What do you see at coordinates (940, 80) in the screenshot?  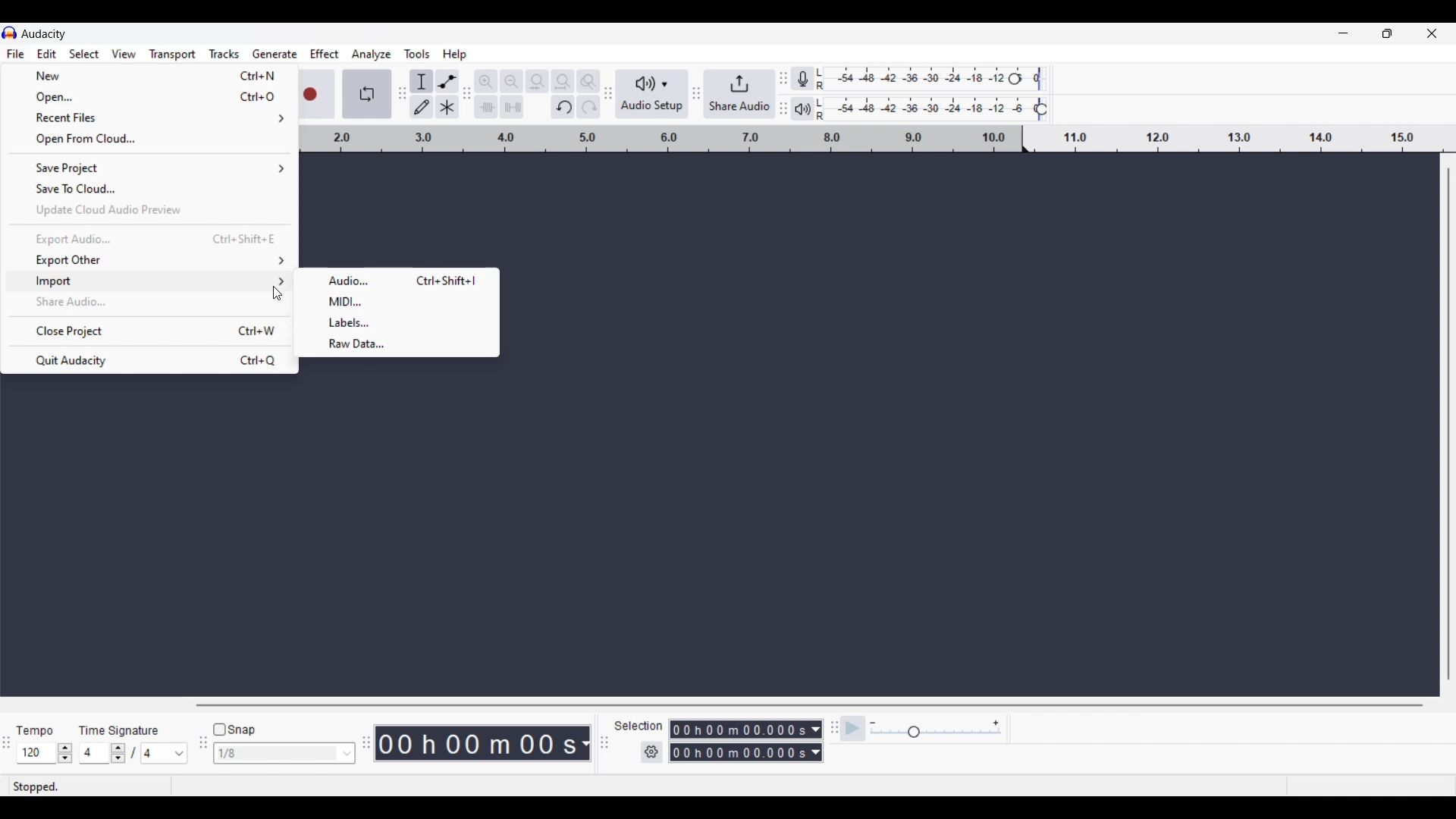 I see `Recording level` at bounding box center [940, 80].